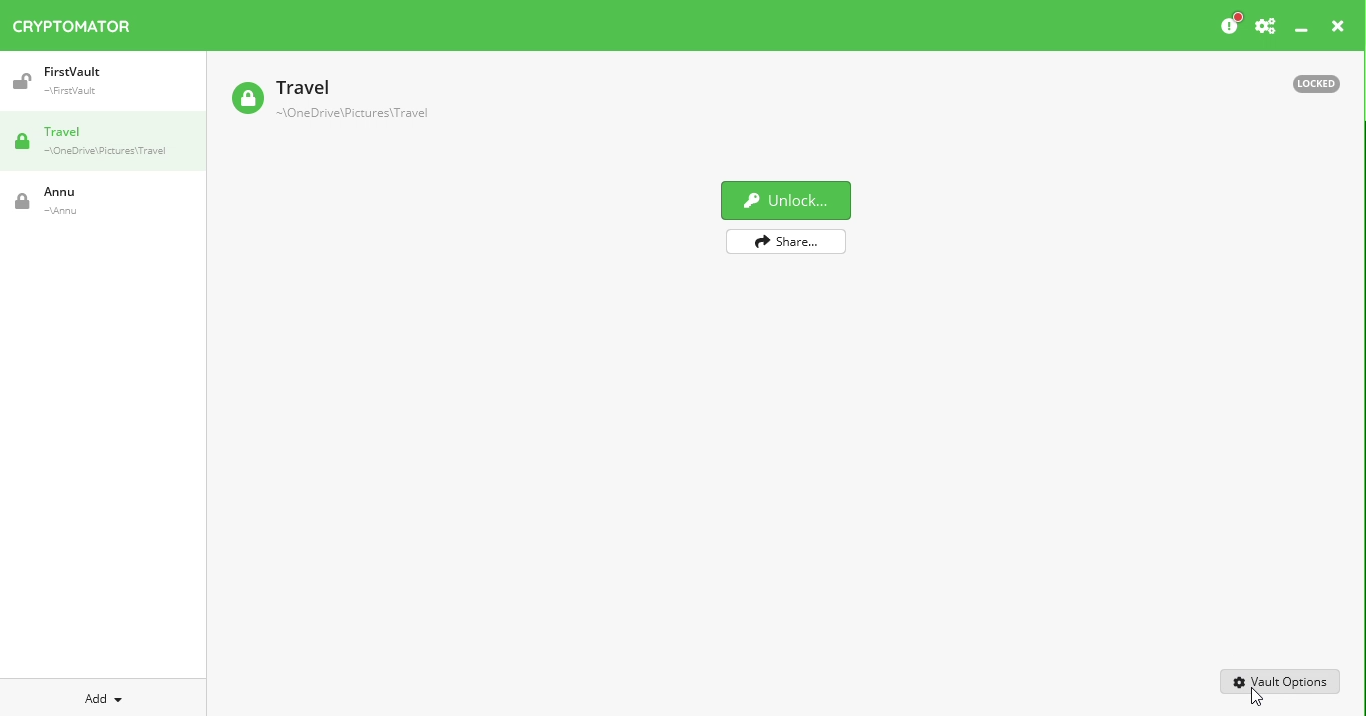 The height and width of the screenshot is (716, 1366). I want to click on Vault, so click(93, 81).